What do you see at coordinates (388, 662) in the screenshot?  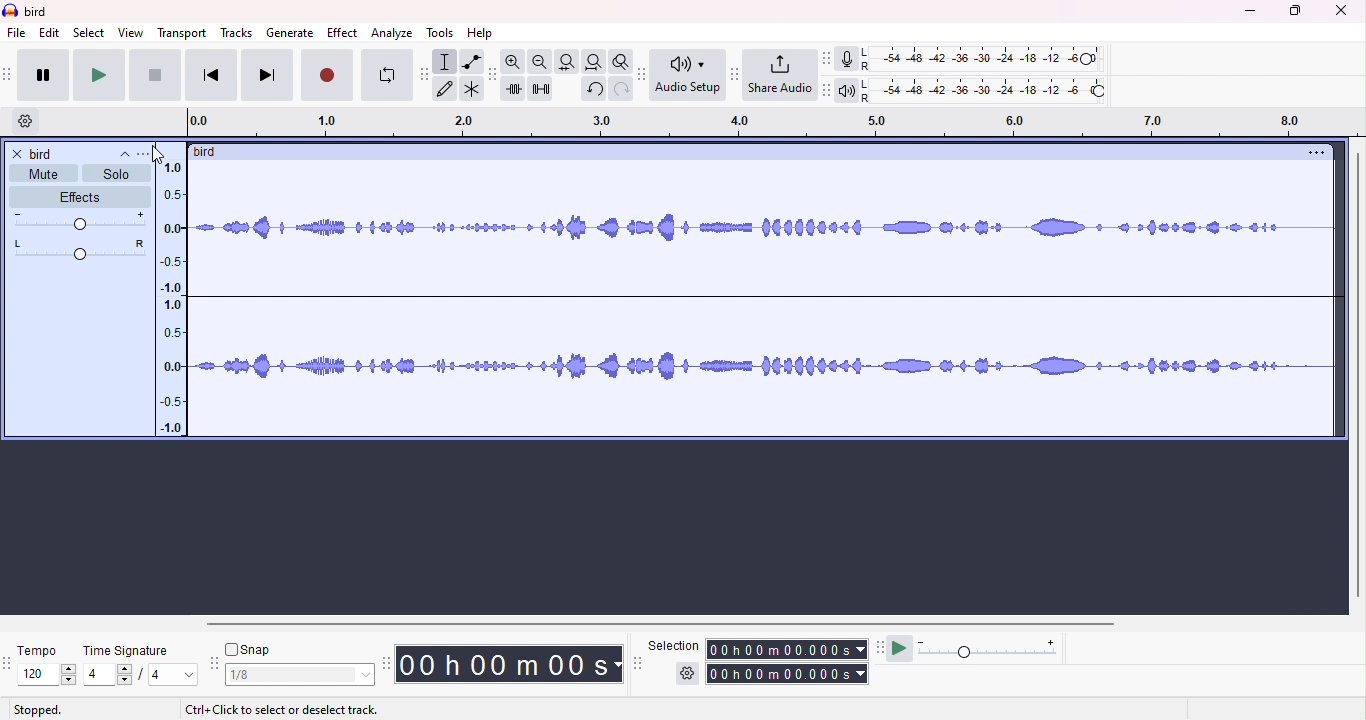 I see `time tool bar` at bounding box center [388, 662].